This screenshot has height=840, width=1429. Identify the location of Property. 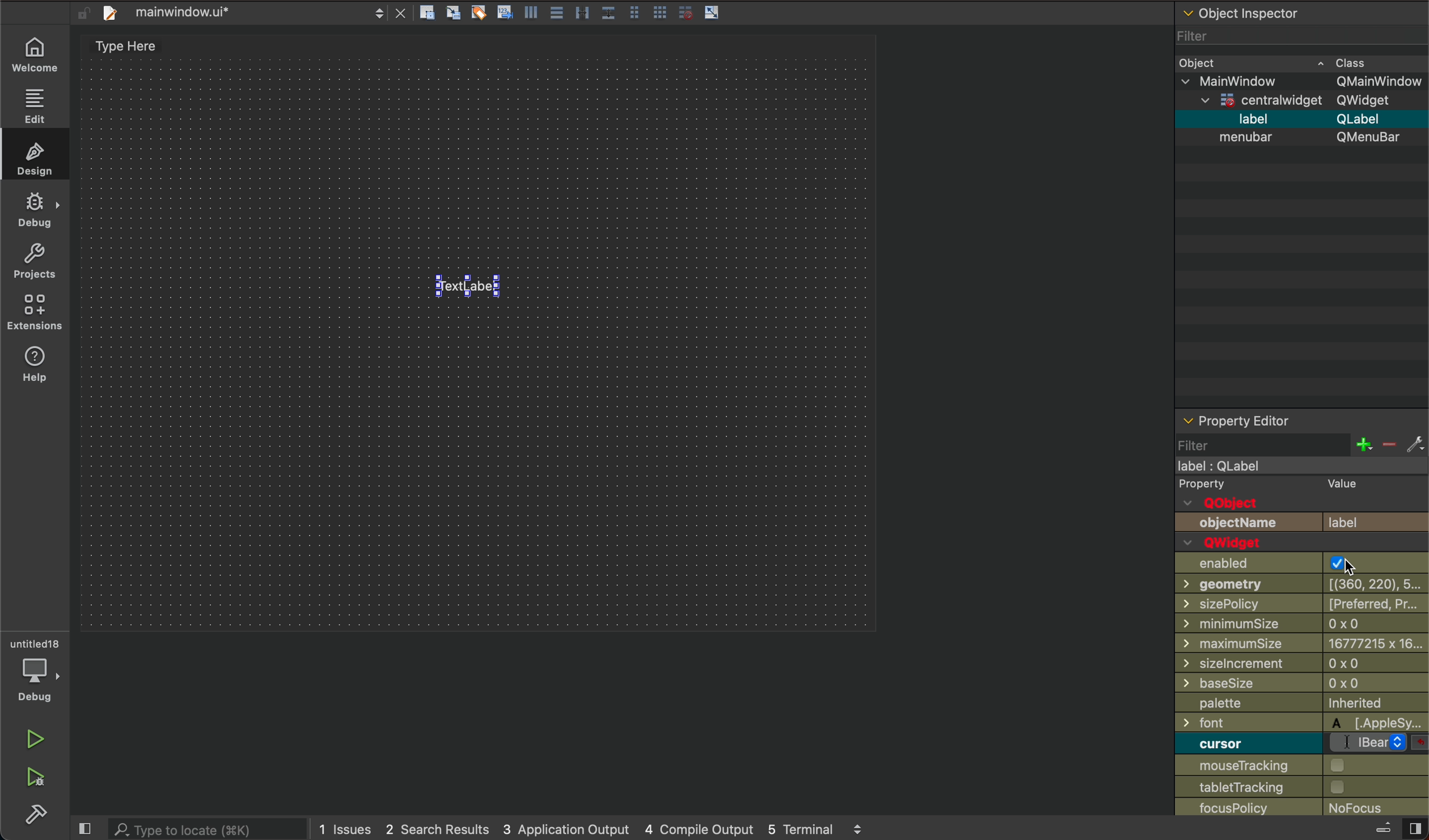
(1217, 482).